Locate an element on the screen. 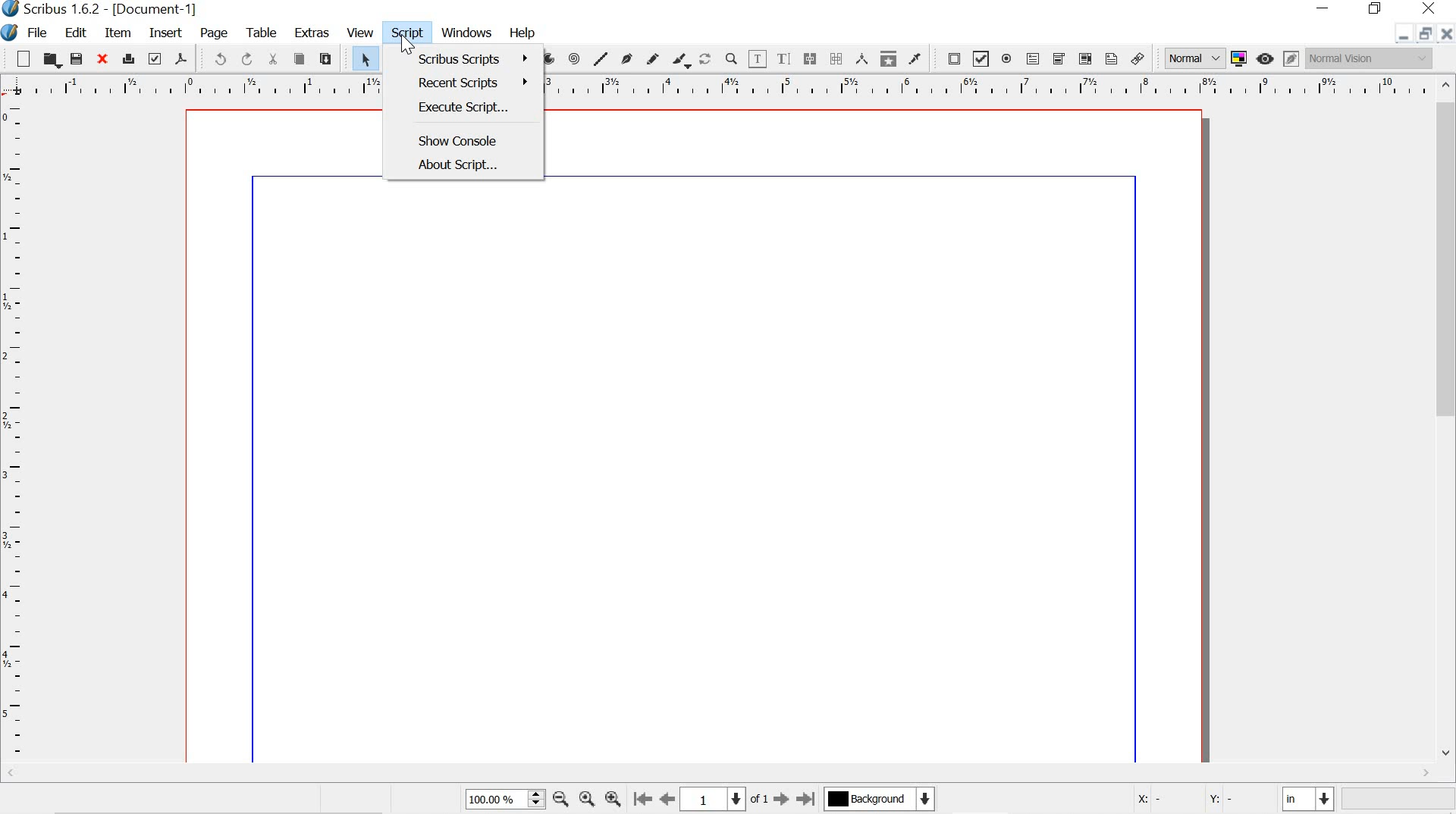 The height and width of the screenshot is (814, 1456). measurements is located at coordinates (863, 59).